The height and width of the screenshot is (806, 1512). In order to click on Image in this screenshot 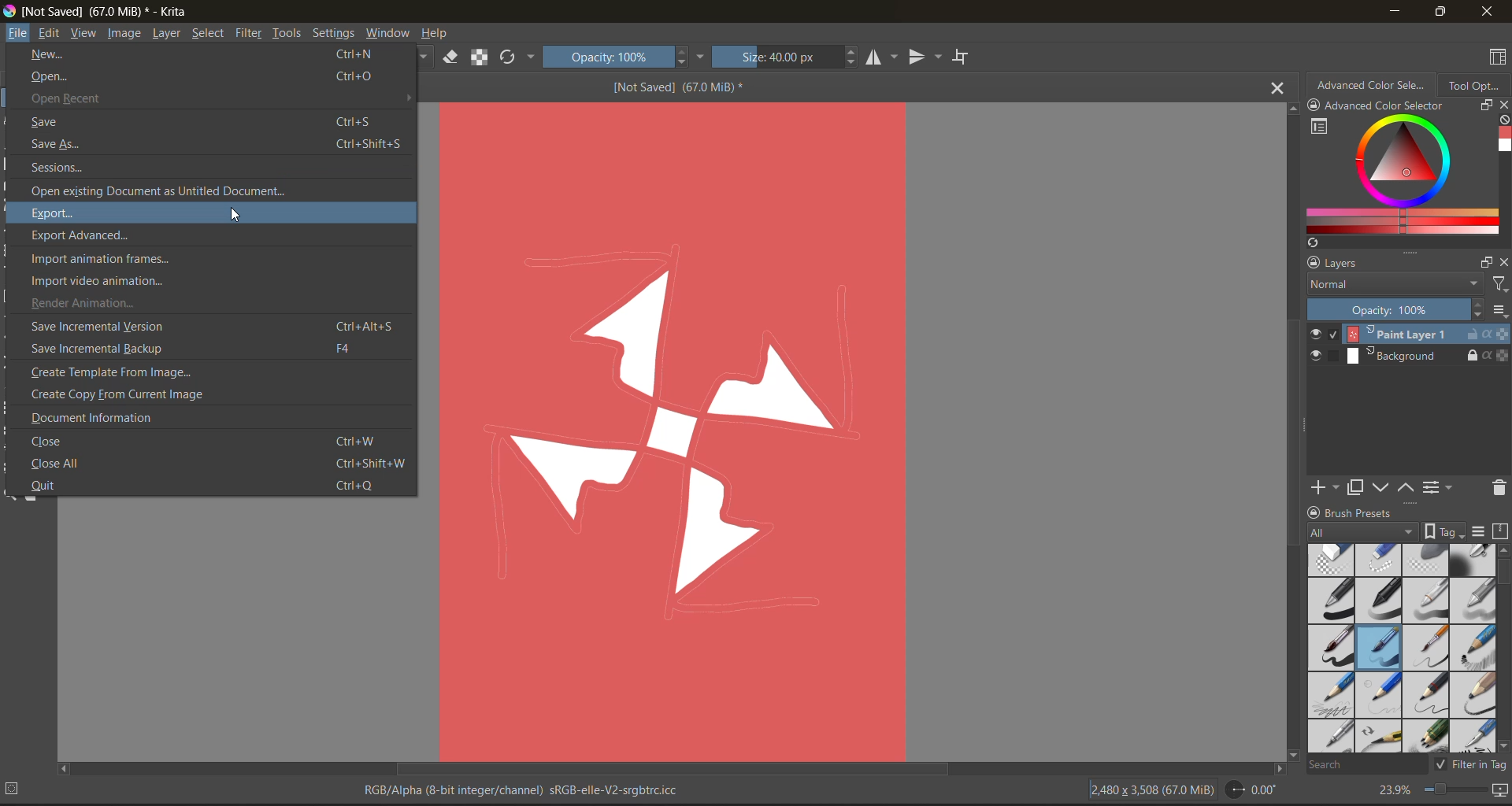, I will do `click(676, 430)`.